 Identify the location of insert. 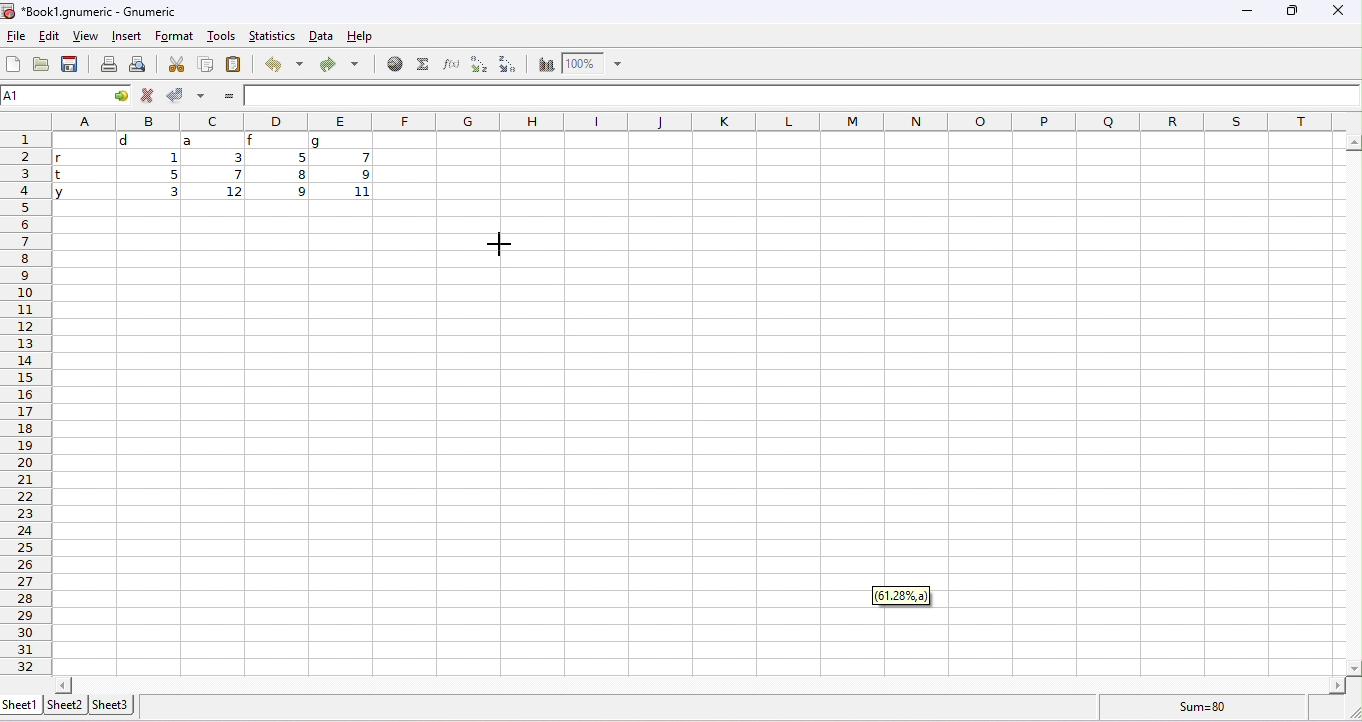
(125, 36).